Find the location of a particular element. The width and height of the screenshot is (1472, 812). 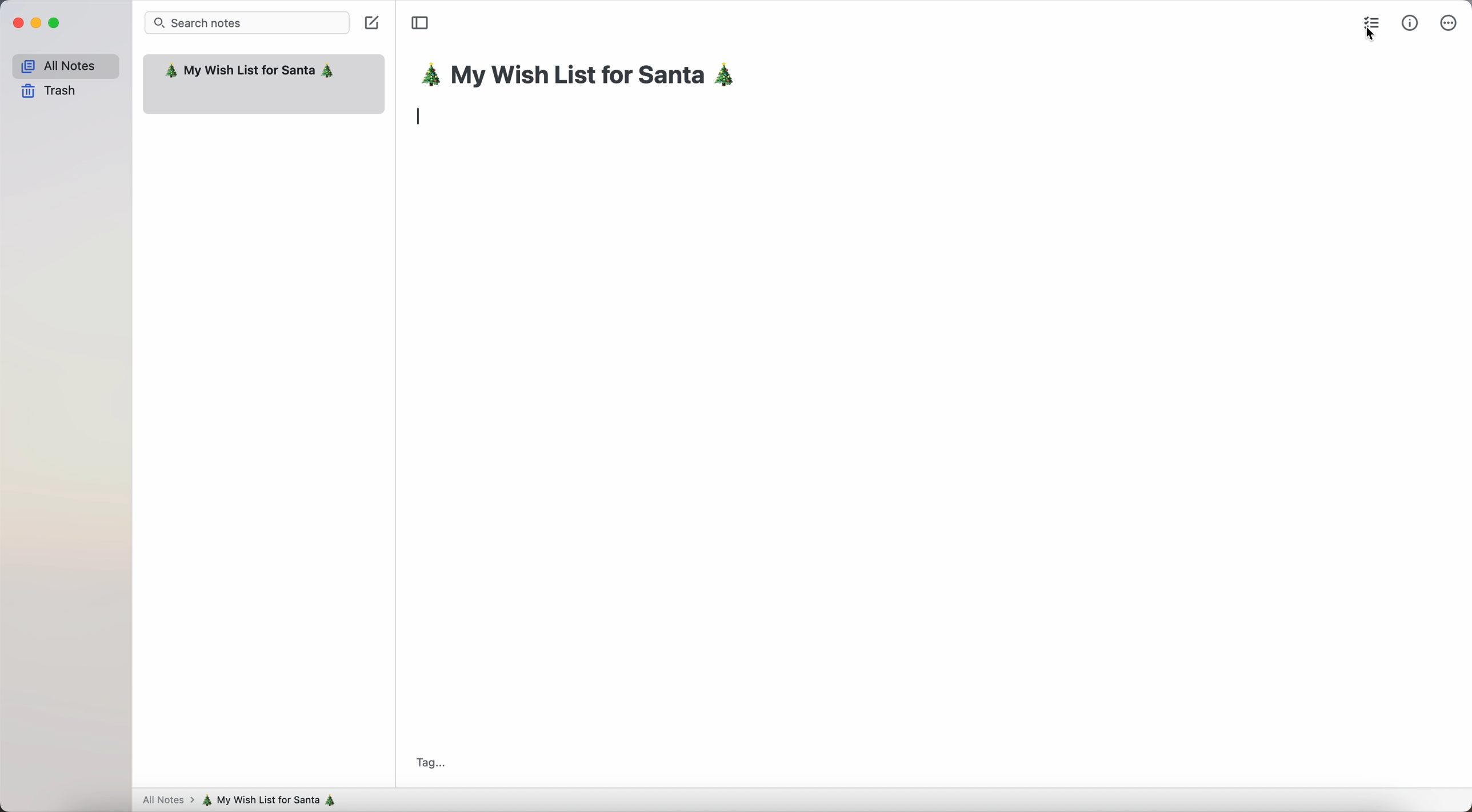

create note is located at coordinates (374, 25).